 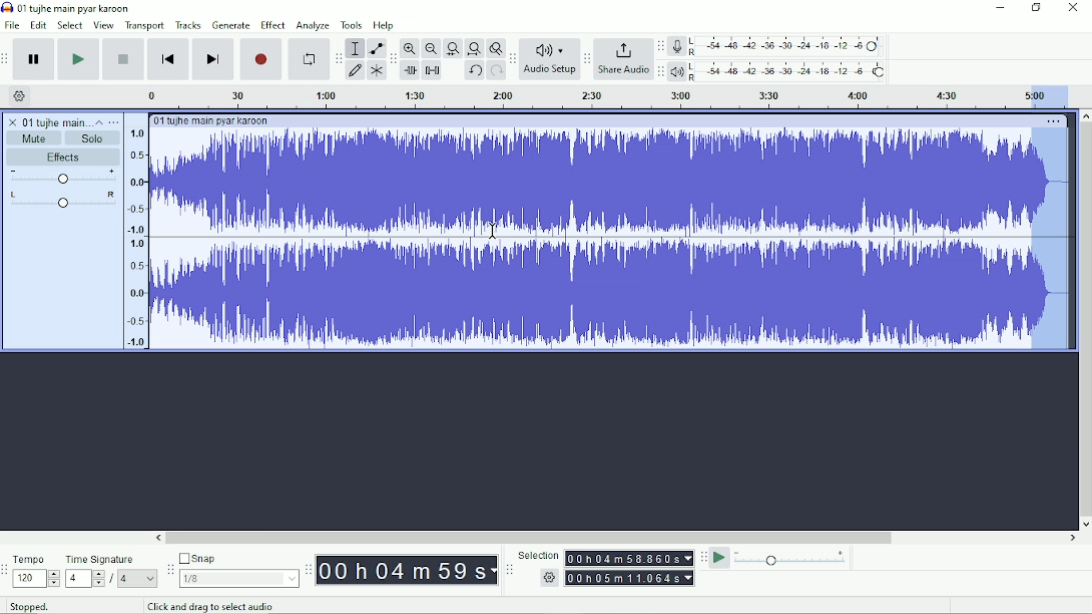 I want to click on Stopped, so click(x=27, y=607).